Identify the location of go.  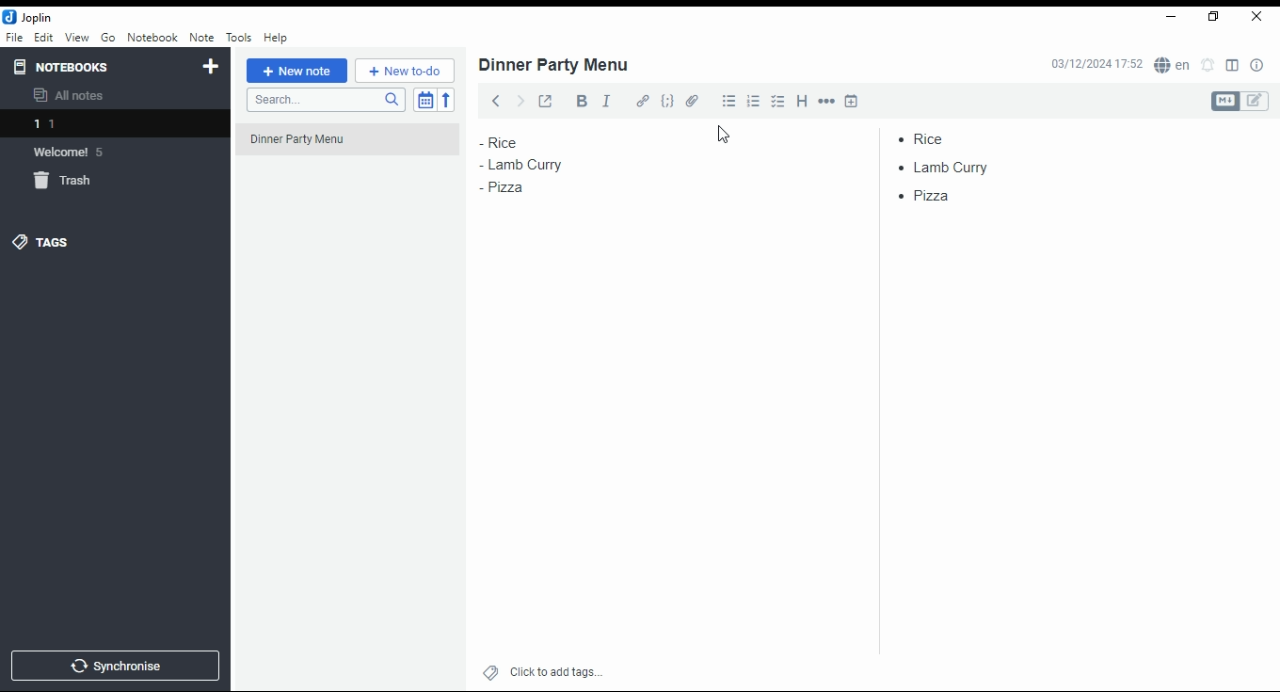
(108, 38).